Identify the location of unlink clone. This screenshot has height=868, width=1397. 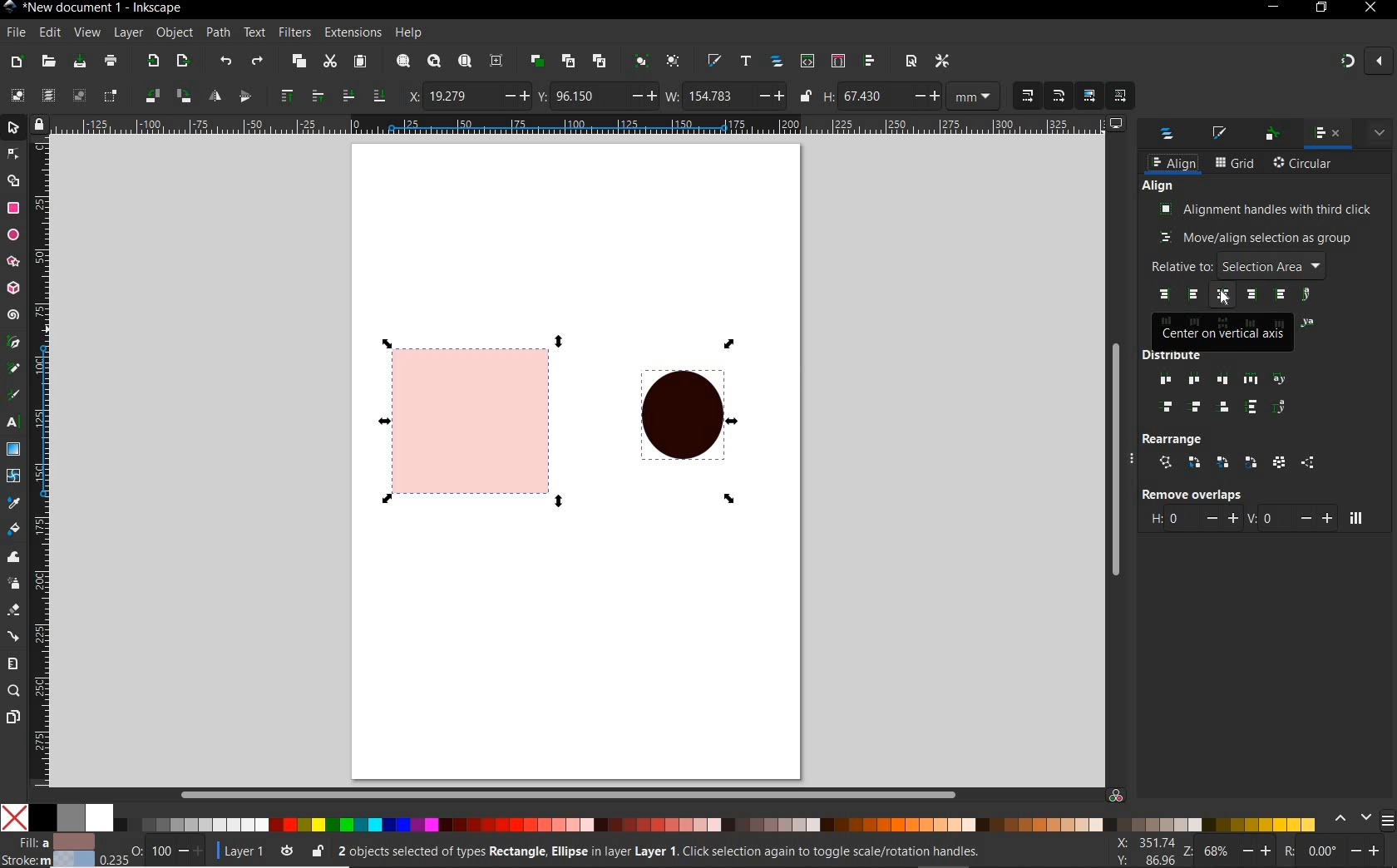
(602, 60).